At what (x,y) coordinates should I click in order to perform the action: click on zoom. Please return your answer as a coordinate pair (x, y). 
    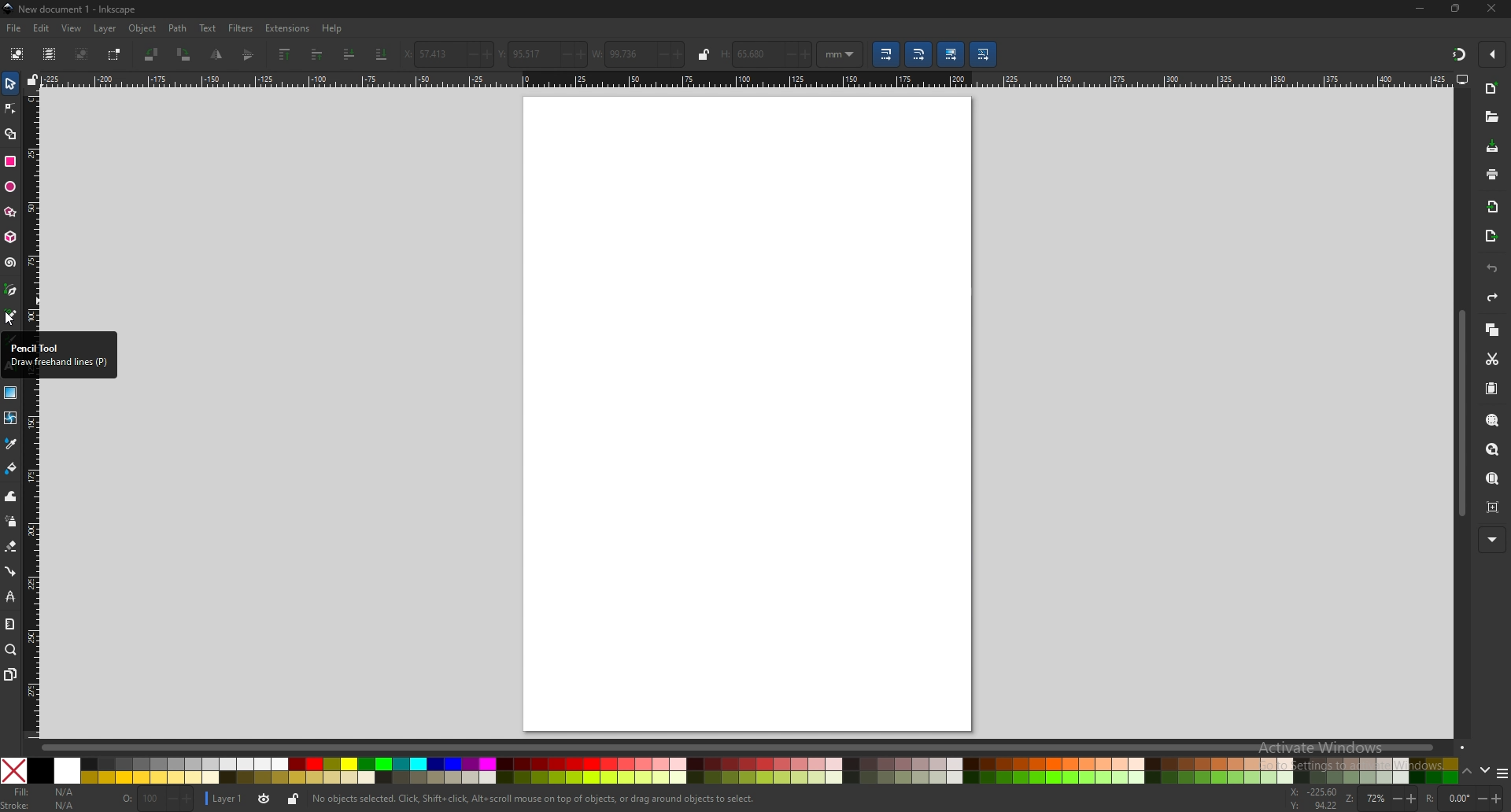
    Looking at the image, I should click on (1382, 798).